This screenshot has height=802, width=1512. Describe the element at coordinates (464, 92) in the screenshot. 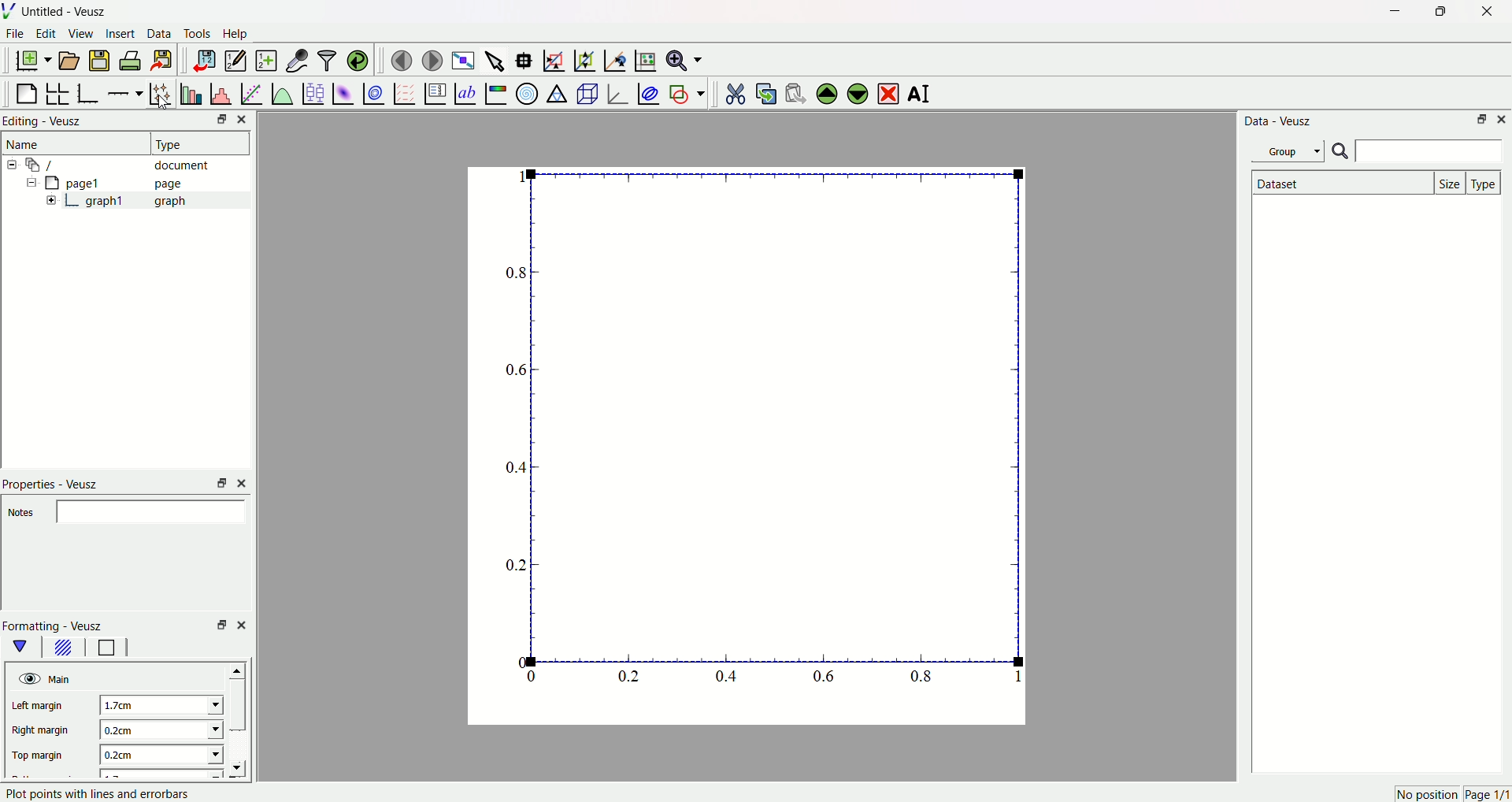

I see `text label` at that location.